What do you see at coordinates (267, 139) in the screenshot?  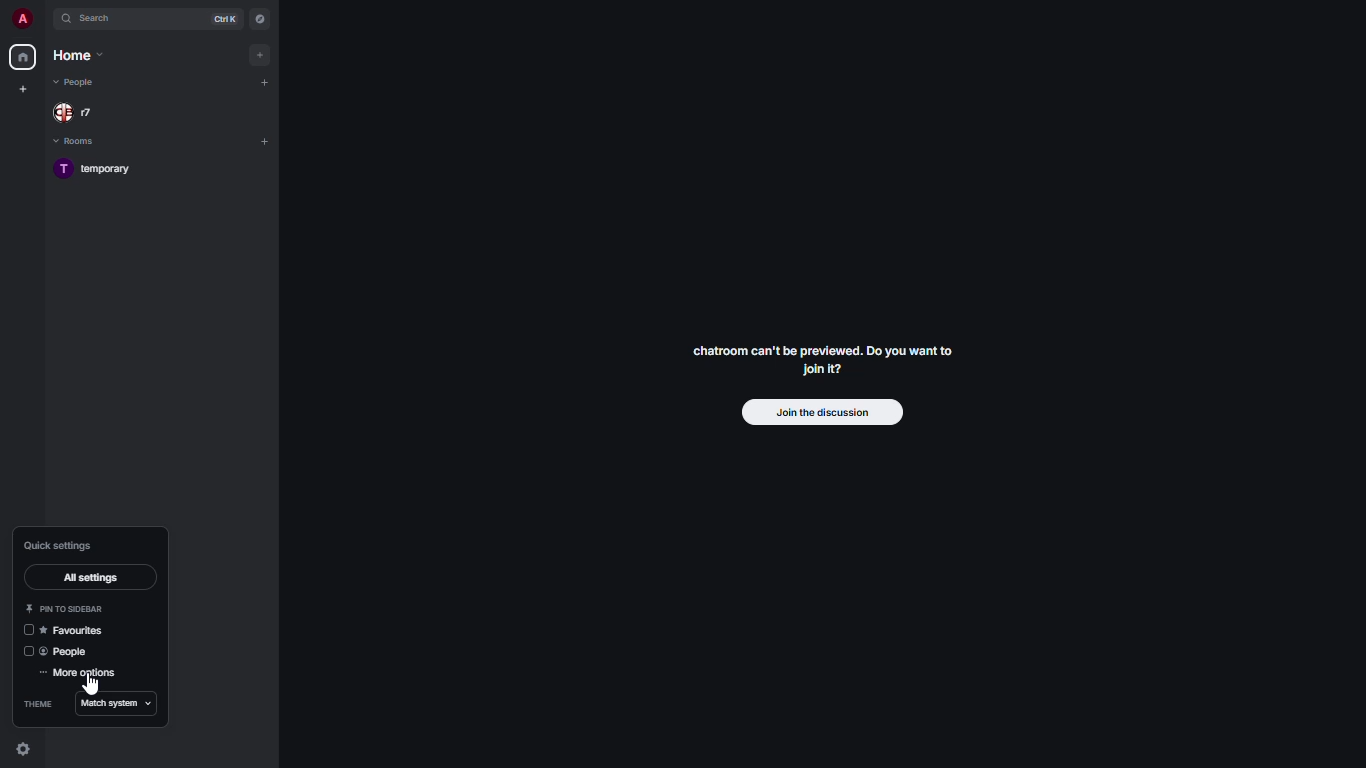 I see `add` at bounding box center [267, 139].